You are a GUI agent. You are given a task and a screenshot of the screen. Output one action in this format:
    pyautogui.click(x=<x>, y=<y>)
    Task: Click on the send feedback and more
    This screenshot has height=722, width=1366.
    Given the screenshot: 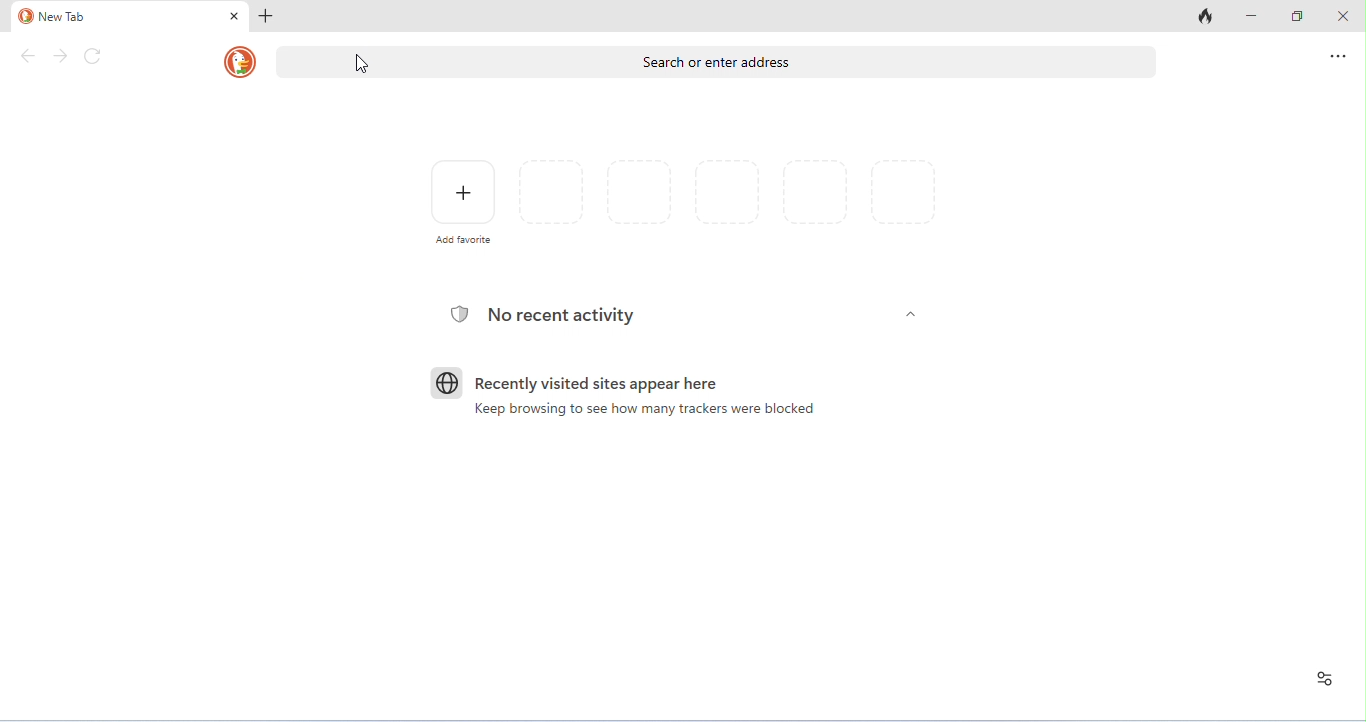 What is the action you would take?
    pyautogui.click(x=1336, y=56)
    